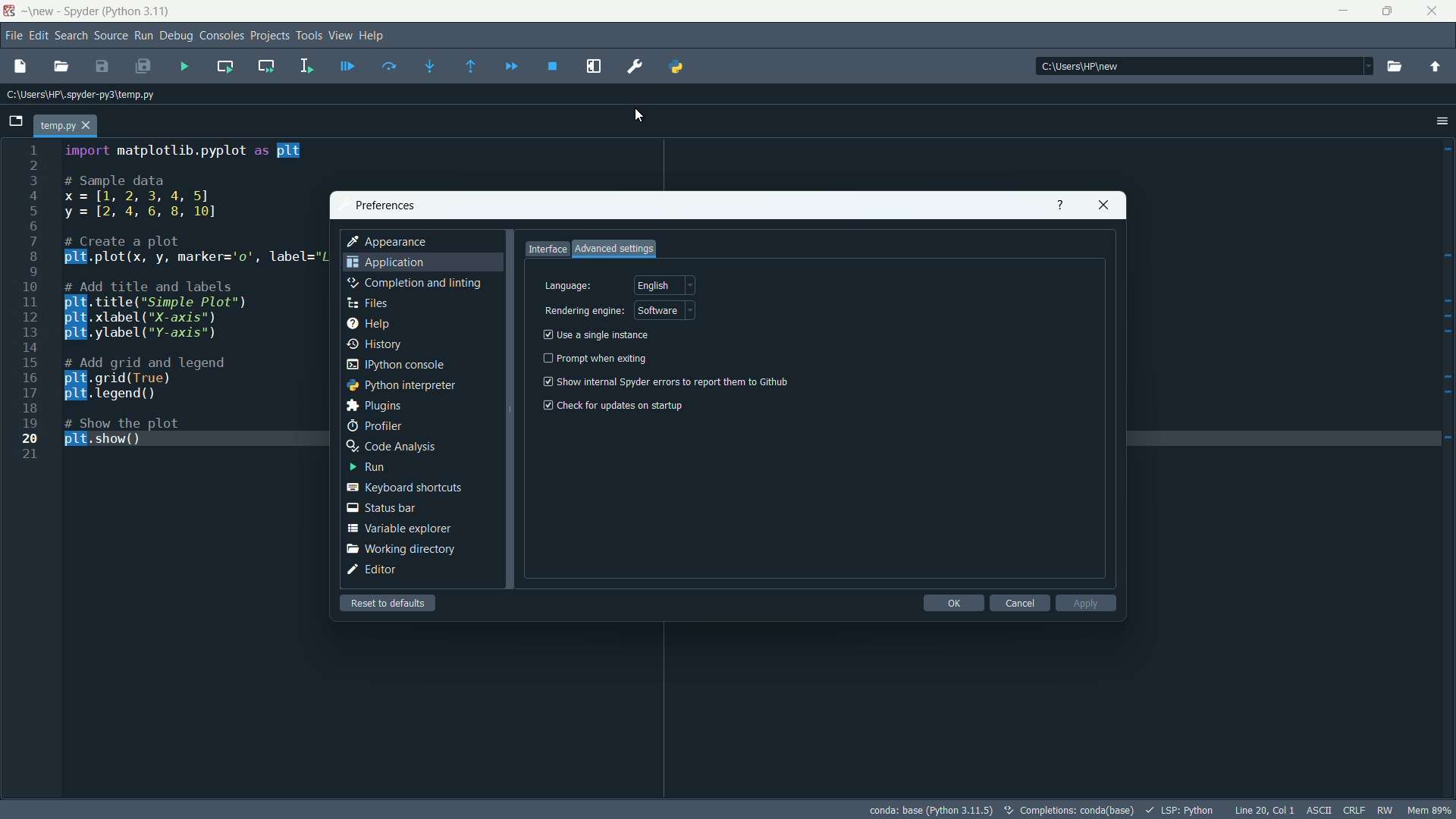  Describe the element at coordinates (1018, 603) in the screenshot. I see `cancel` at that location.